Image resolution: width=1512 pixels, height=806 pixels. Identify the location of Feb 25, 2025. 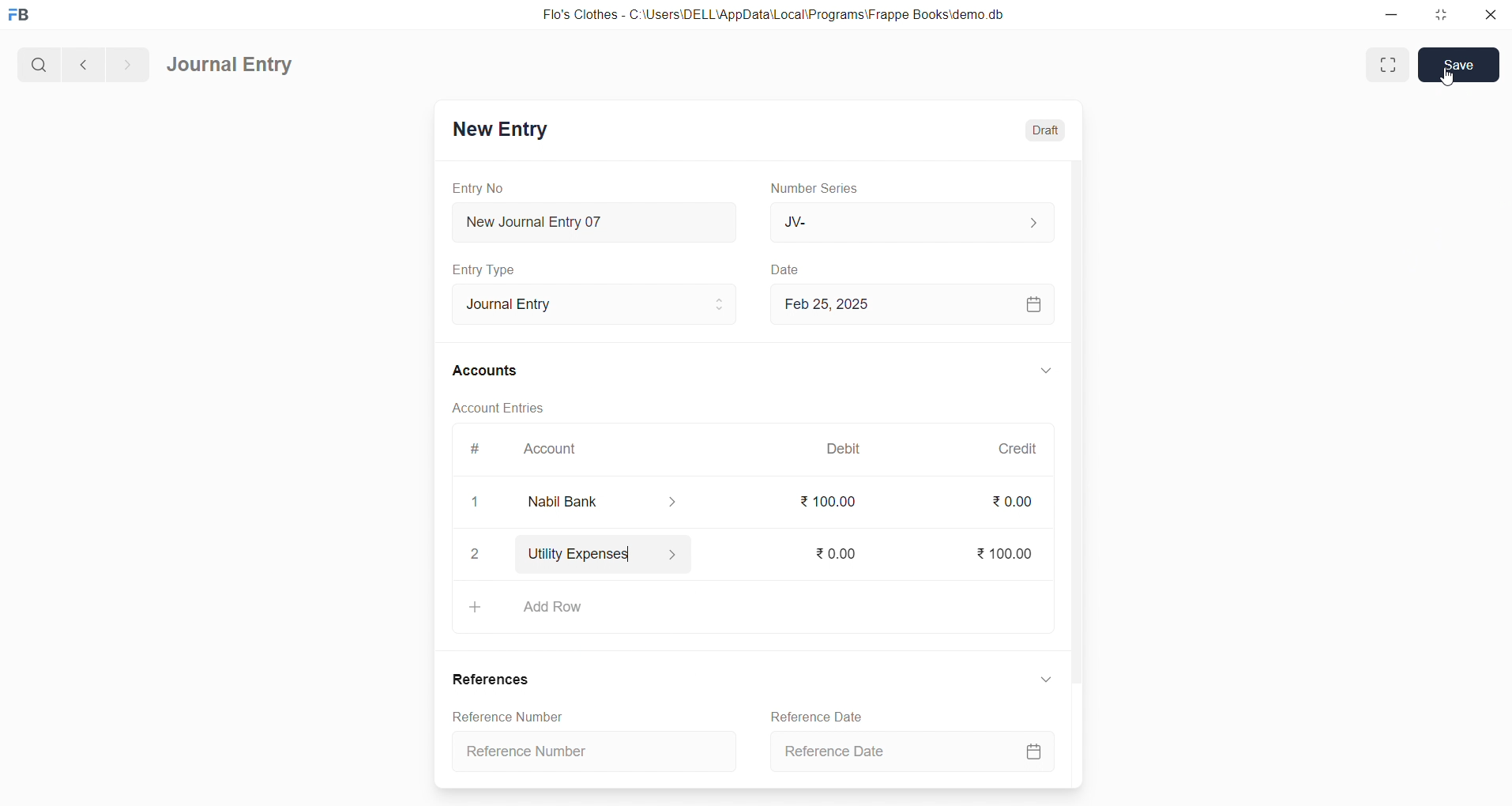
(910, 303).